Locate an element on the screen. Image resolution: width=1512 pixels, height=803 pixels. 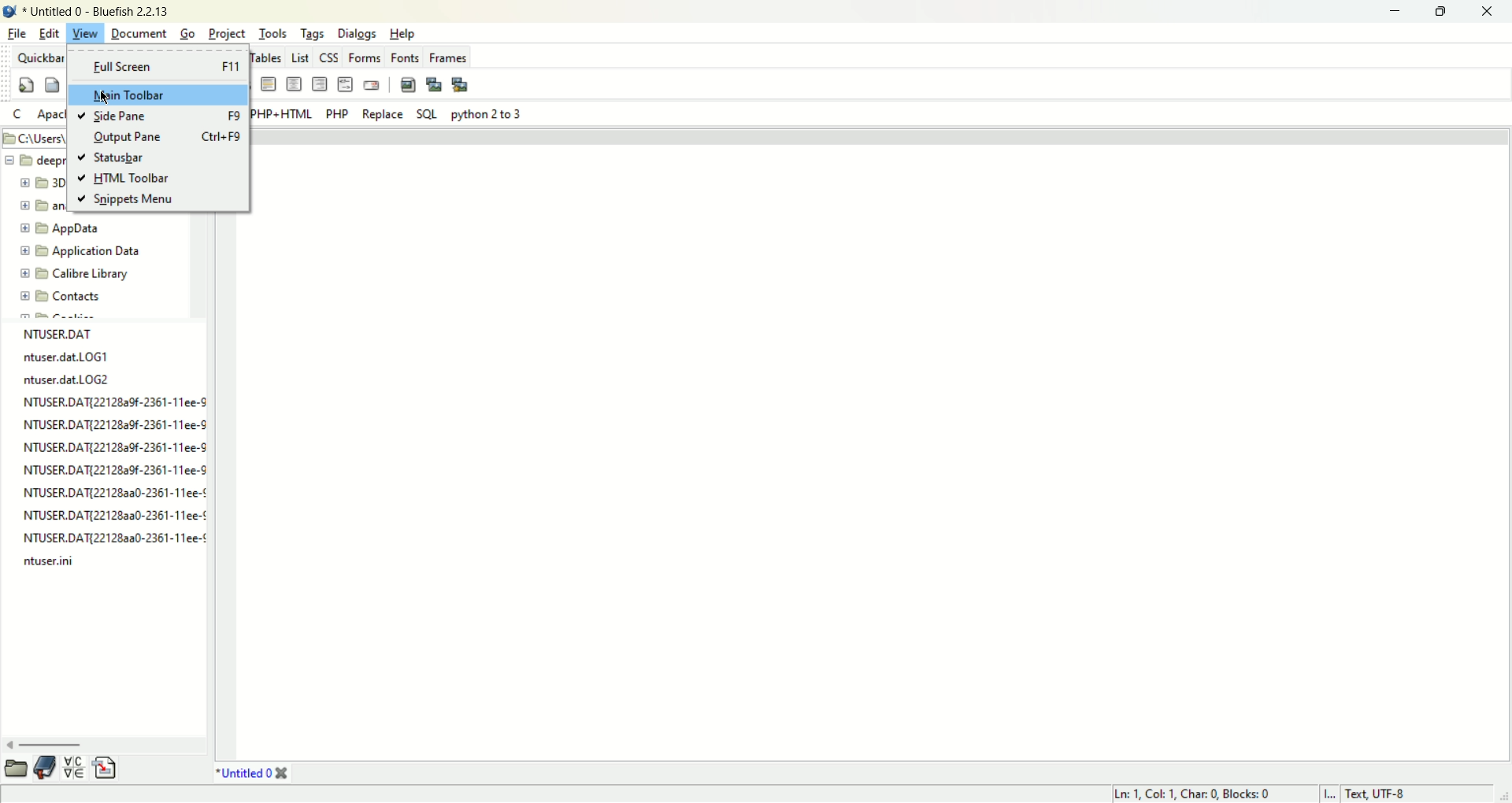
NTUSER.DAT{22128a9f-2361-11ee-" is located at coordinates (113, 447).